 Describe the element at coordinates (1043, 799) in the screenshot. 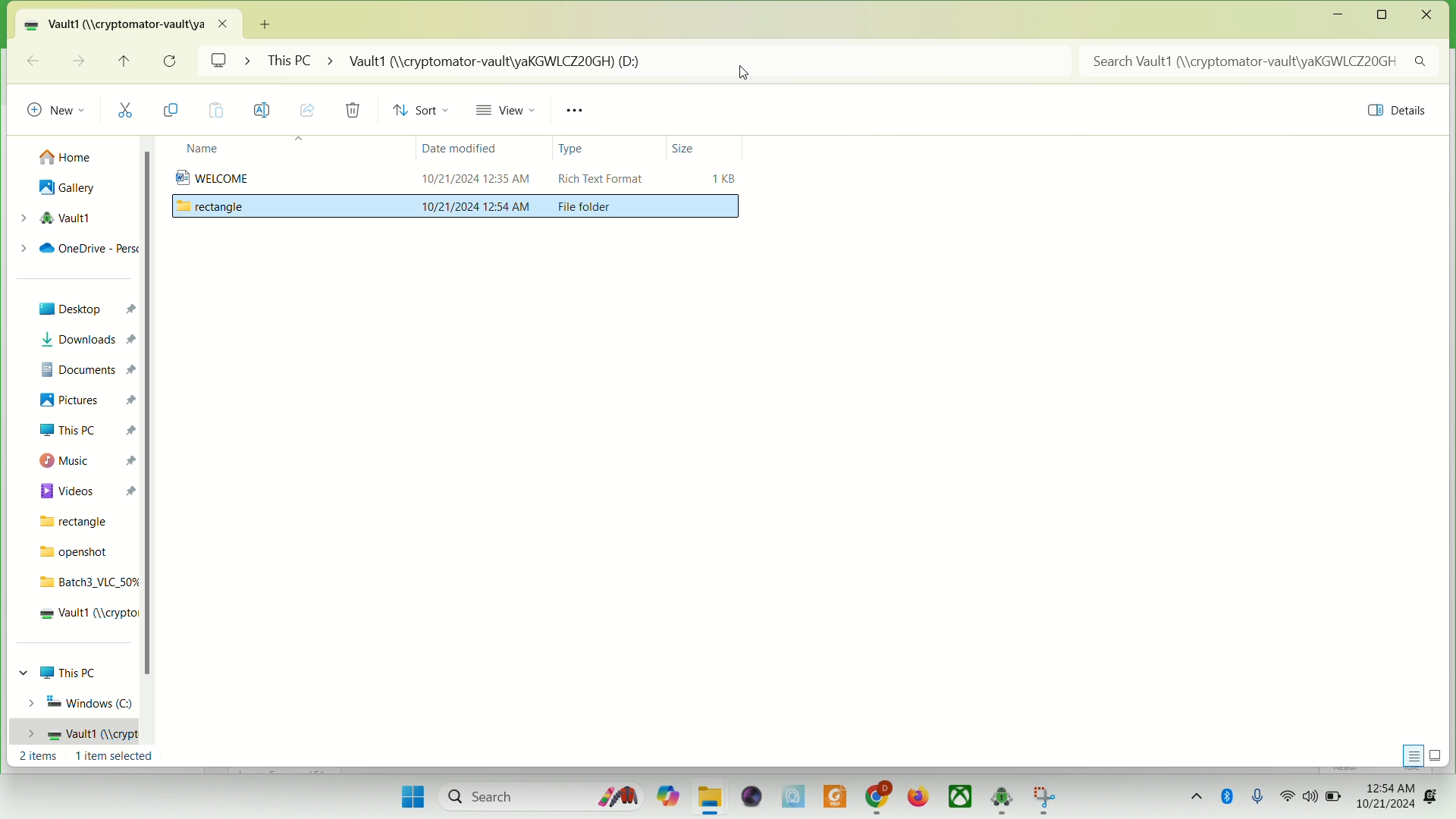

I see `app` at that location.